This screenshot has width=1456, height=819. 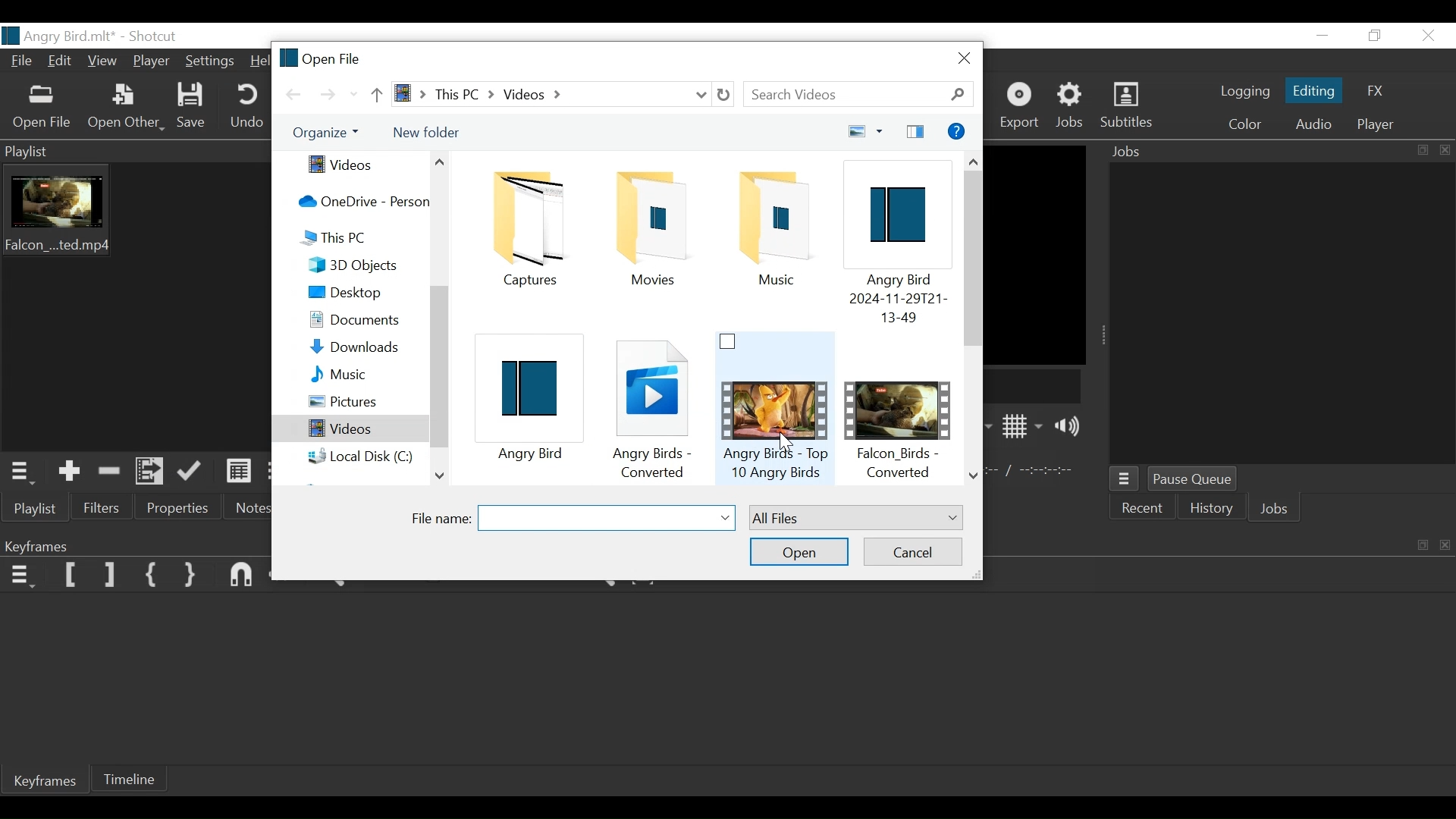 What do you see at coordinates (70, 573) in the screenshot?
I see `Set Filter Keyframe ` at bounding box center [70, 573].